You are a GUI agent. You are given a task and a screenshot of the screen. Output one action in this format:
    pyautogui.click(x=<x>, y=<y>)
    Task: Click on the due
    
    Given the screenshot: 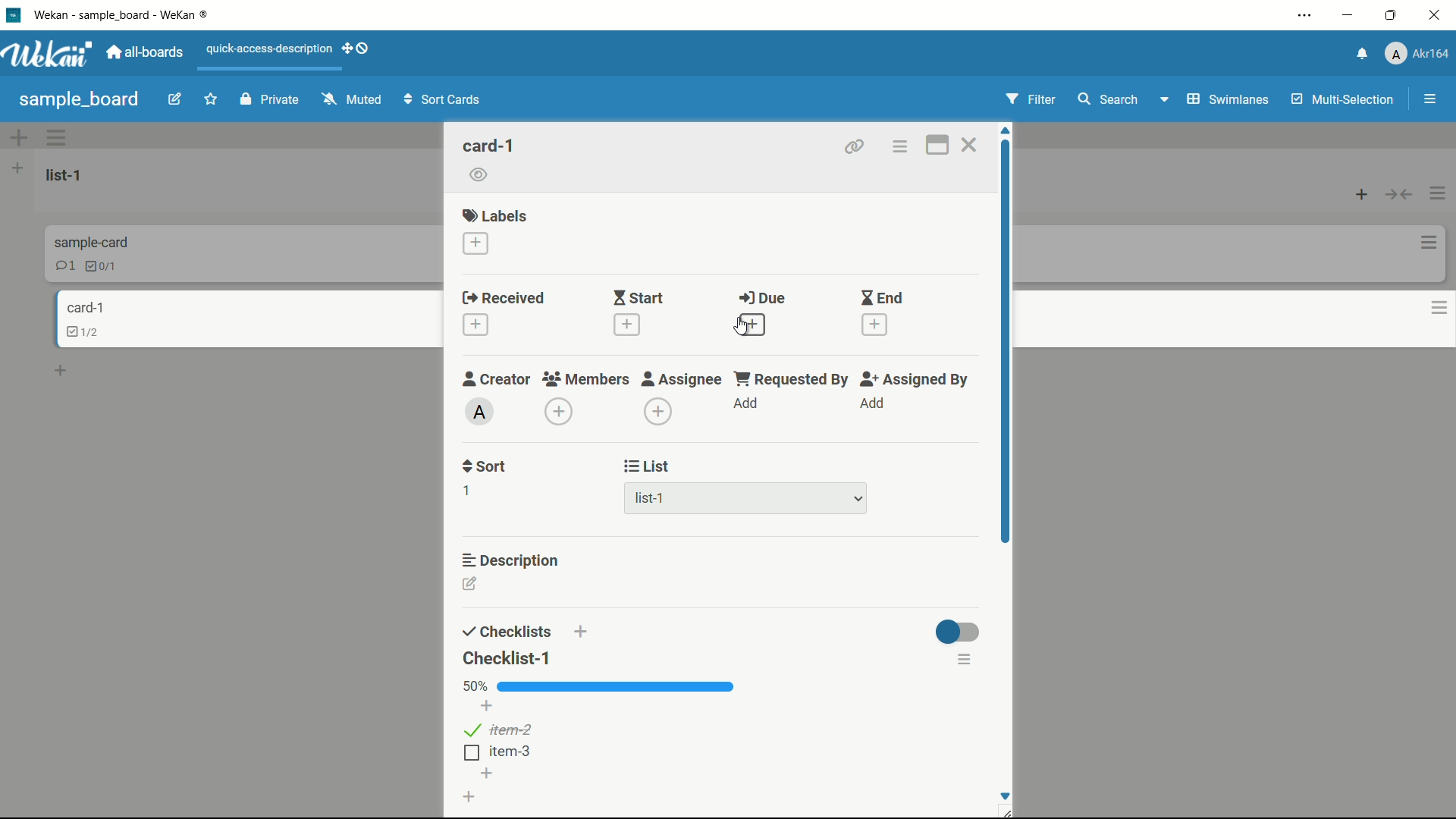 What is the action you would take?
    pyautogui.click(x=761, y=297)
    